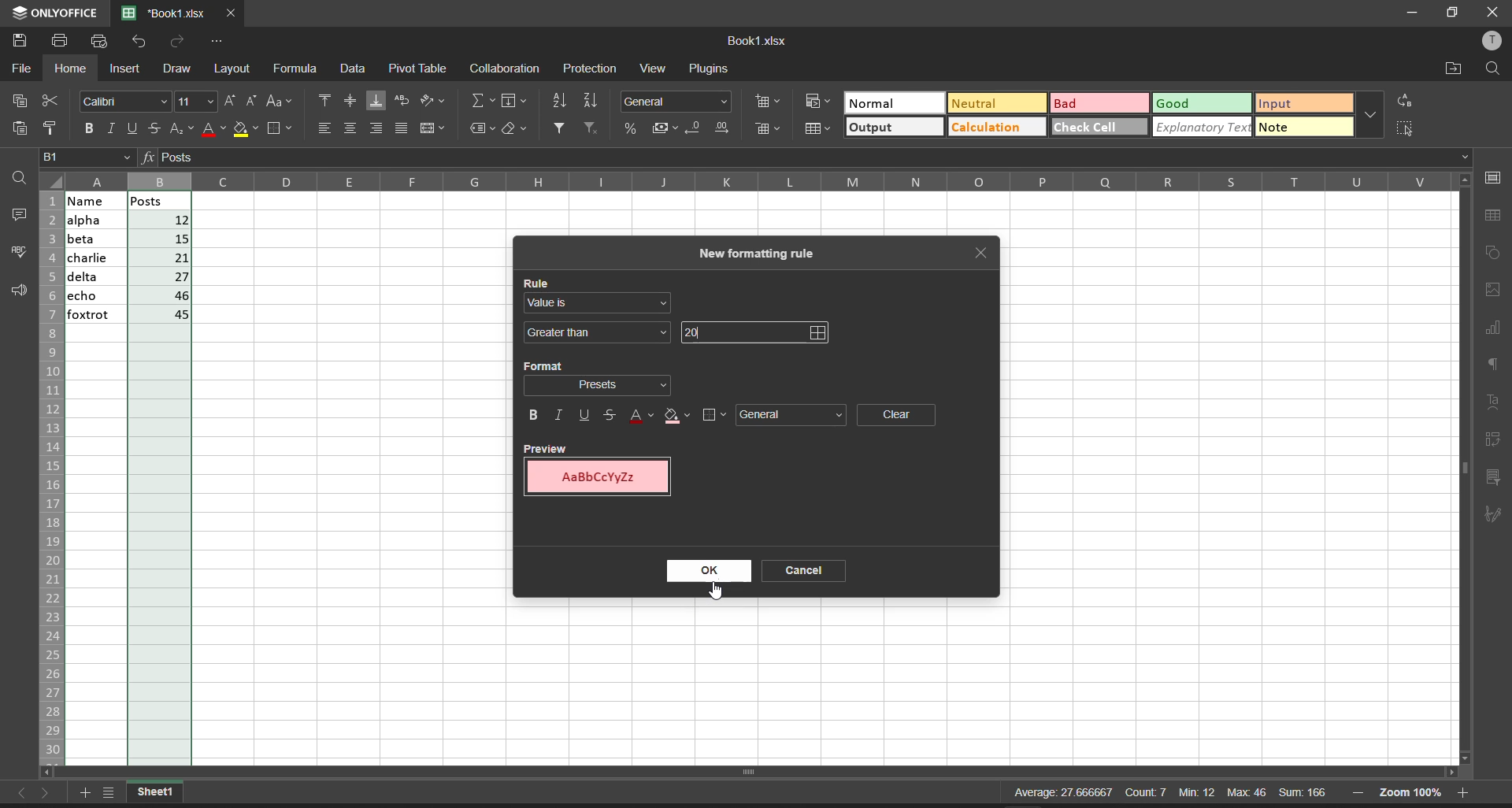 The width and height of the screenshot is (1512, 808). What do you see at coordinates (421, 68) in the screenshot?
I see `pivot table` at bounding box center [421, 68].